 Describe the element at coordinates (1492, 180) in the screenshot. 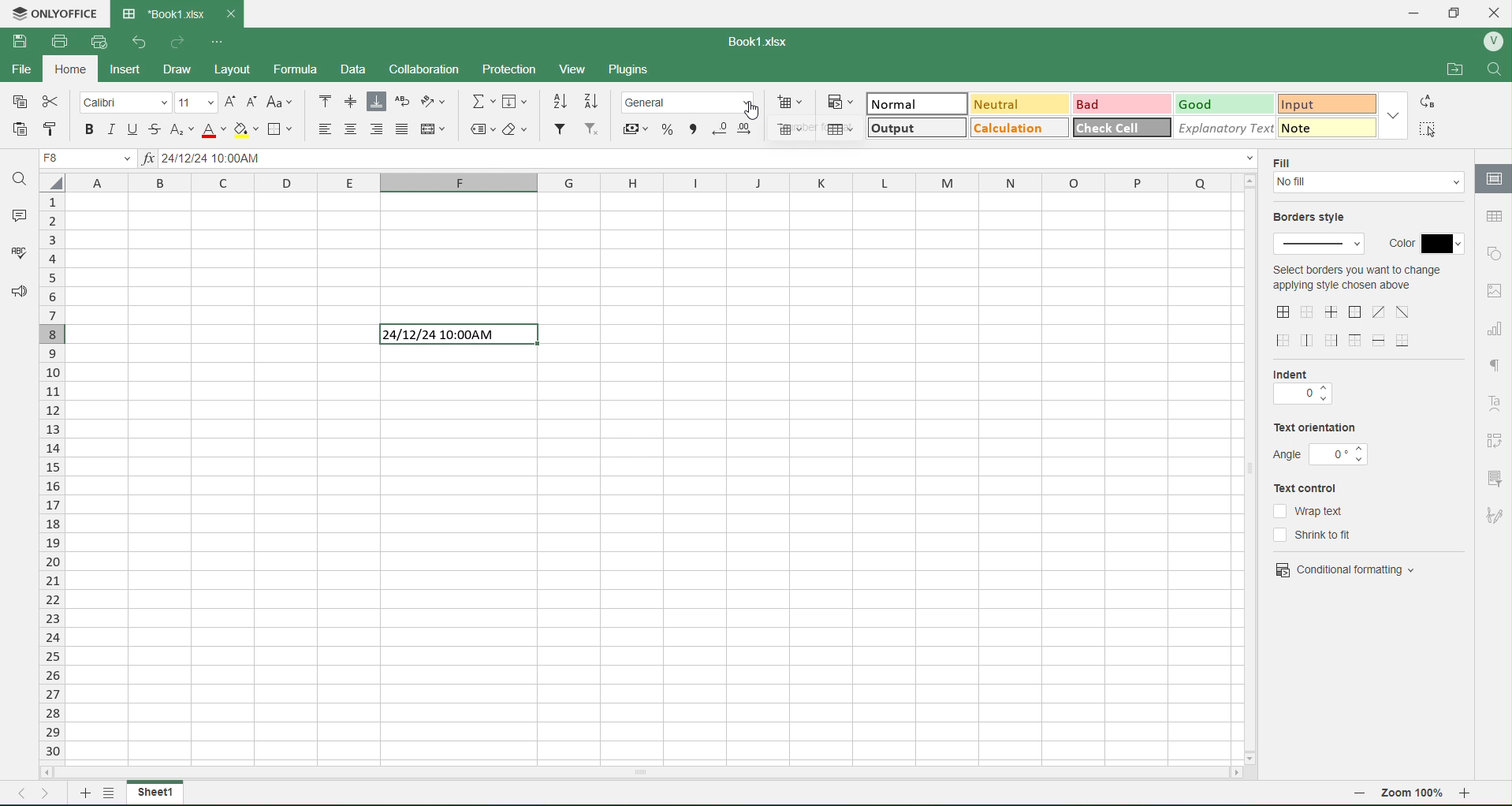

I see `drawing` at that location.